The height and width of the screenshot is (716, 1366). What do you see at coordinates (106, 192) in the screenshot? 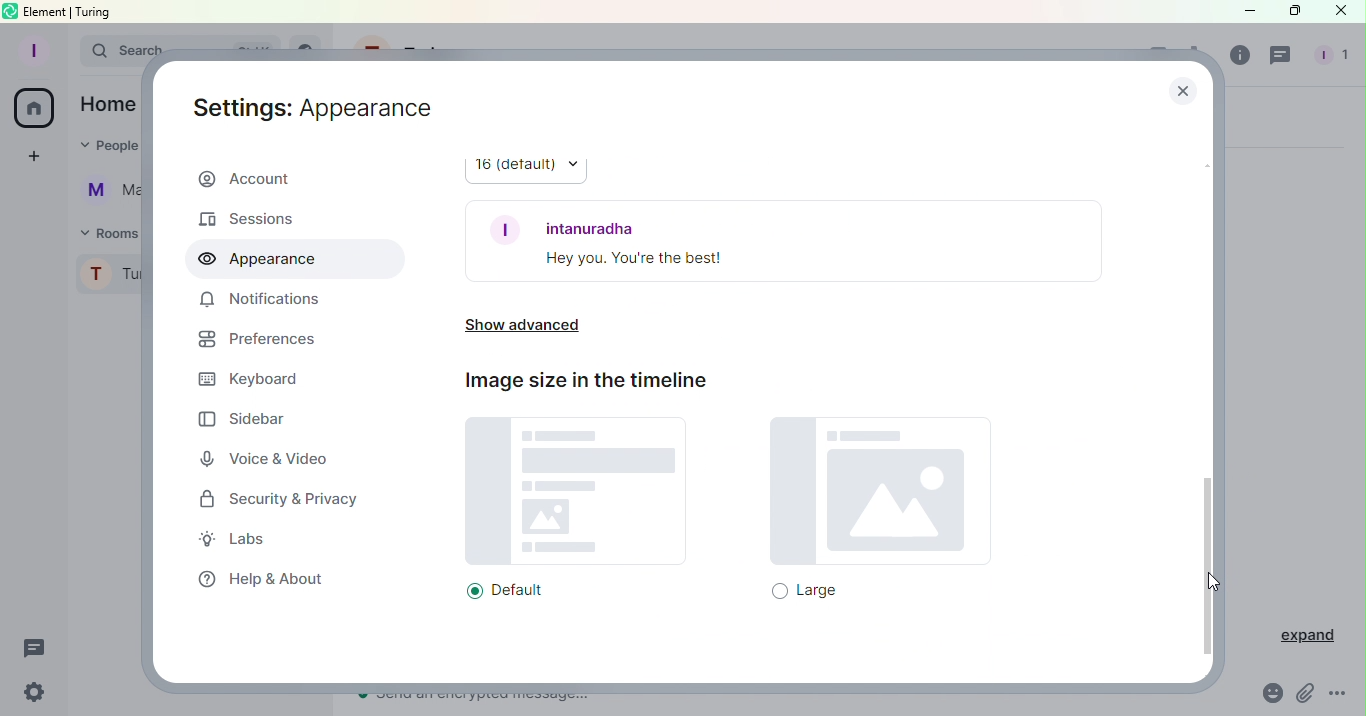
I see `Martina Tornello` at bounding box center [106, 192].